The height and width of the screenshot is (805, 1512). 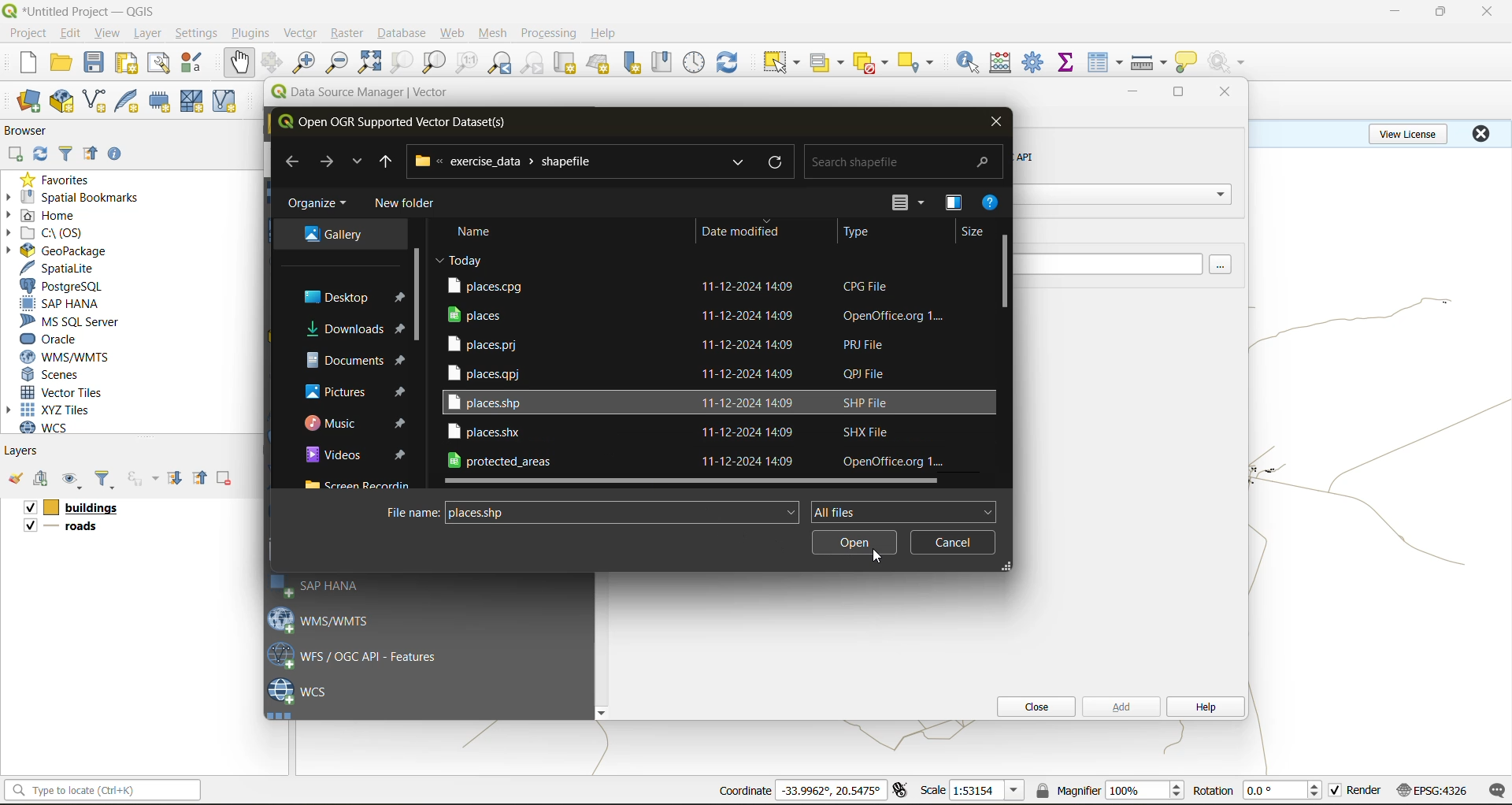 What do you see at coordinates (302, 33) in the screenshot?
I see `vector` at bounding box center [302, 33].